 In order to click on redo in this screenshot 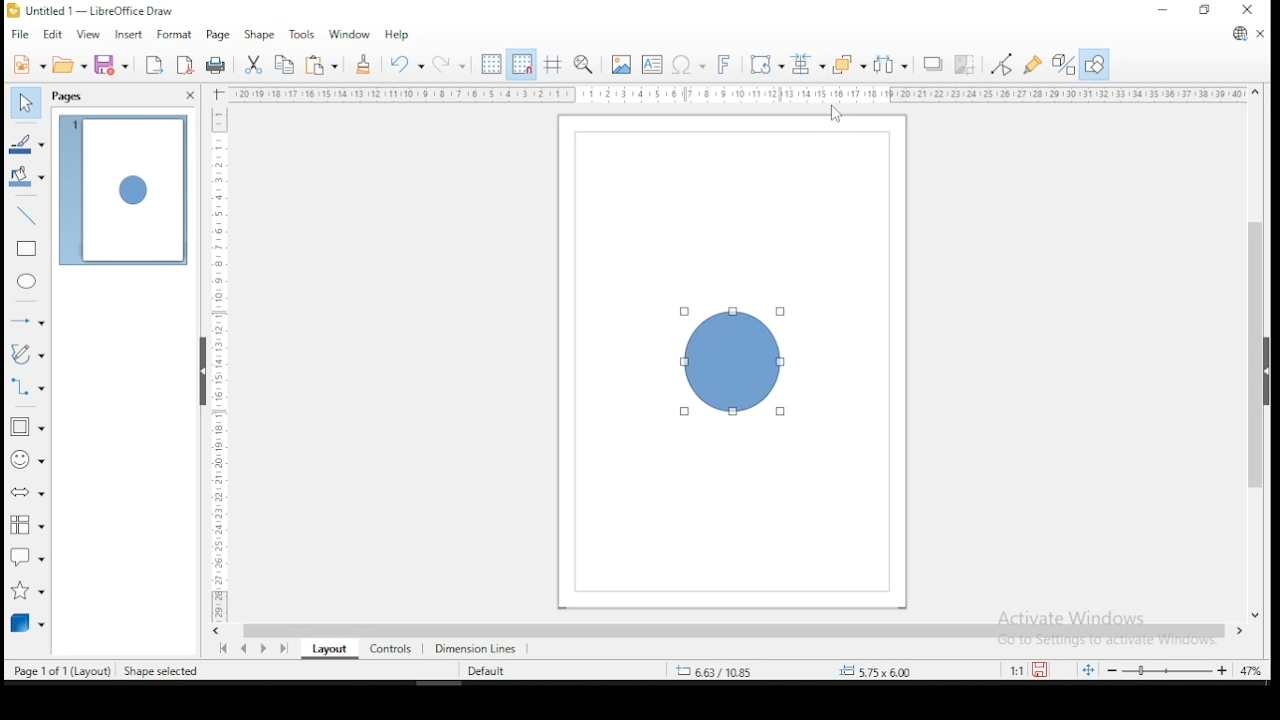, I will do `click(448, 63)`.